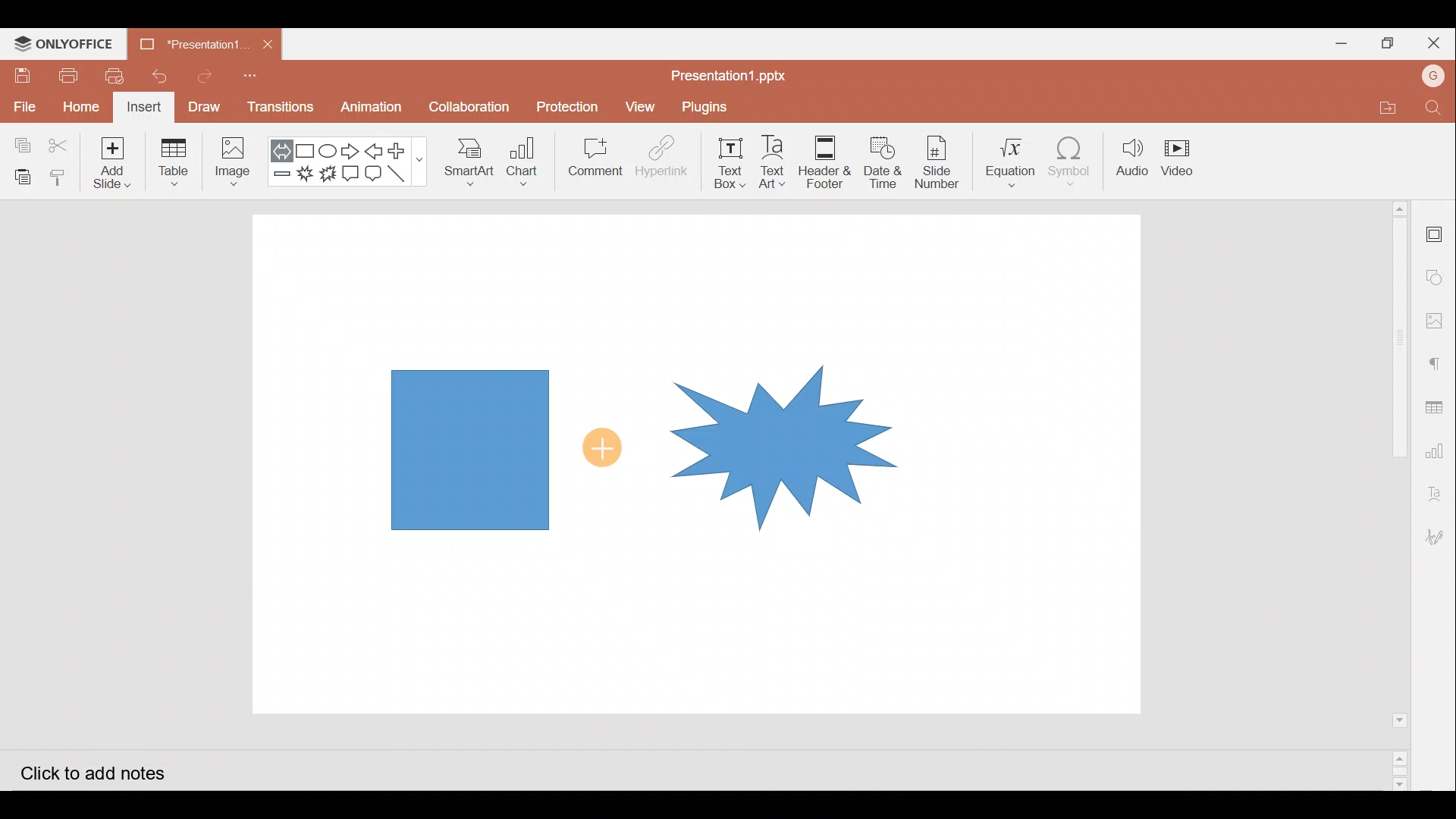  What do you see at coordinates (1335, 42) in the screenshot?
I see `Minimize` at bounding box center [1335, 42].